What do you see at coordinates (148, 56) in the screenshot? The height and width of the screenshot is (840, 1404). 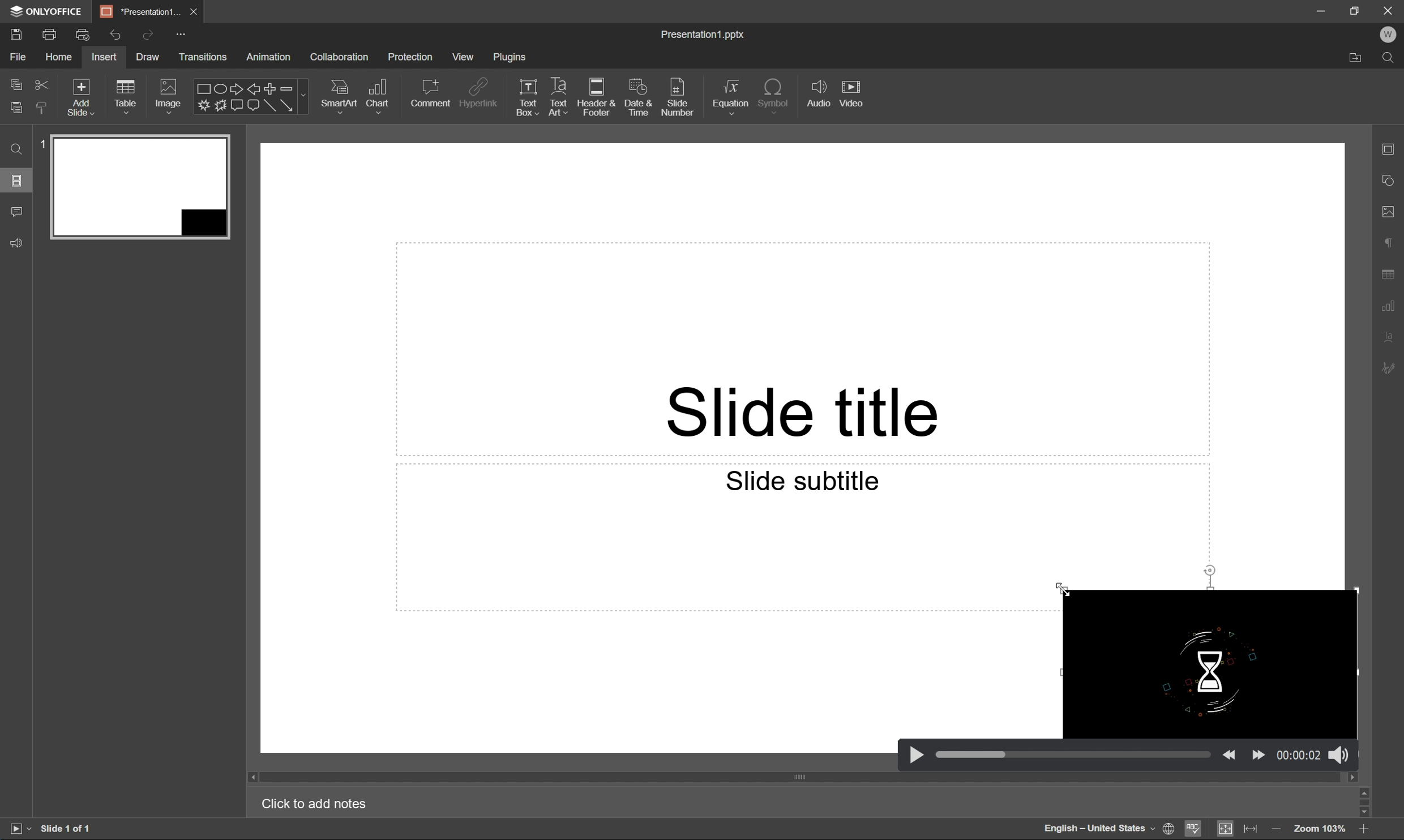 I see `draw` at bounding box center [148, 56].